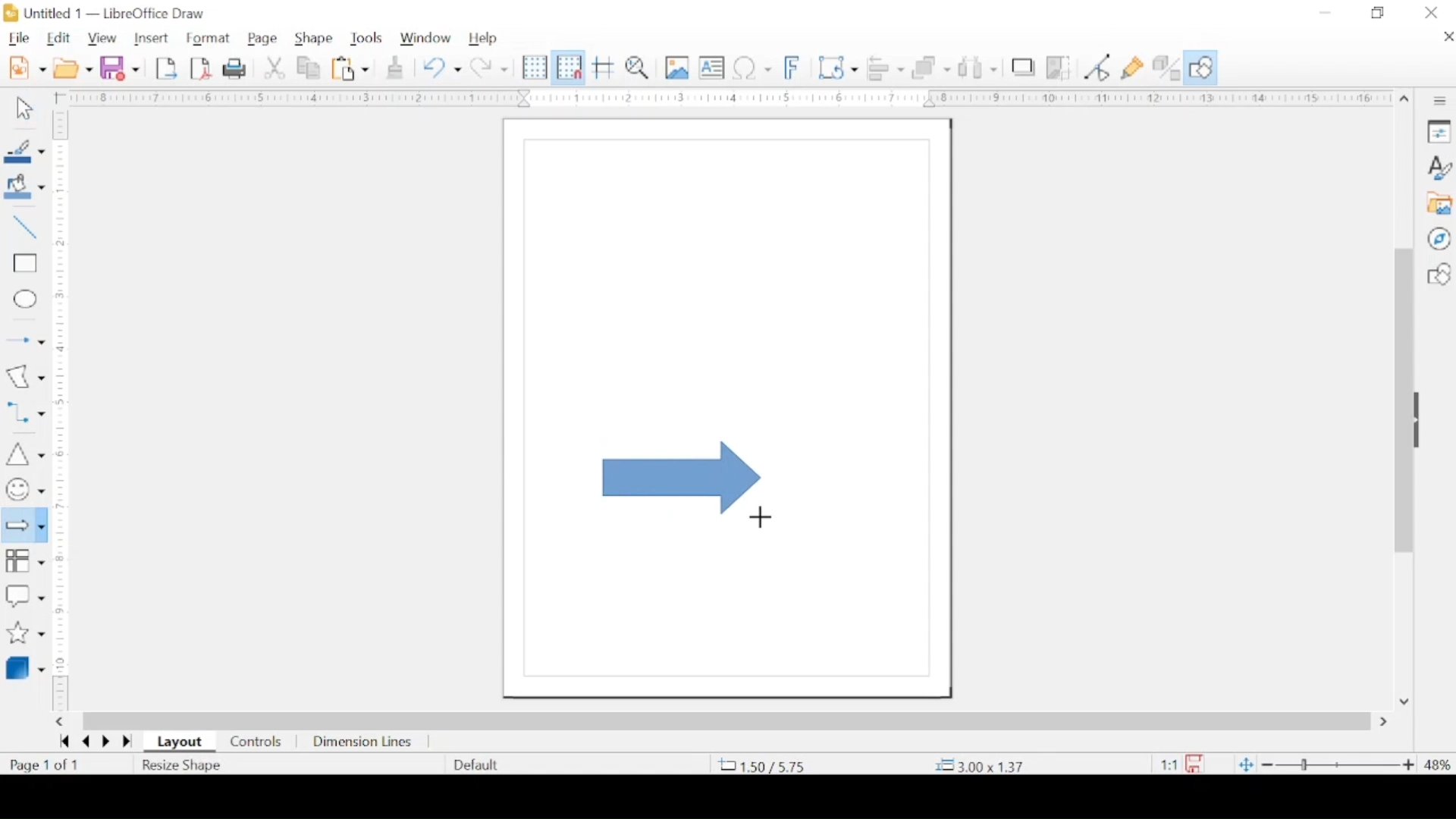 The width and height of the screenshot is (1456, 819). What do you see at coordinates (1439, 238) in the screenshot?
I see `navigator` at bounding box center [1439, 238].